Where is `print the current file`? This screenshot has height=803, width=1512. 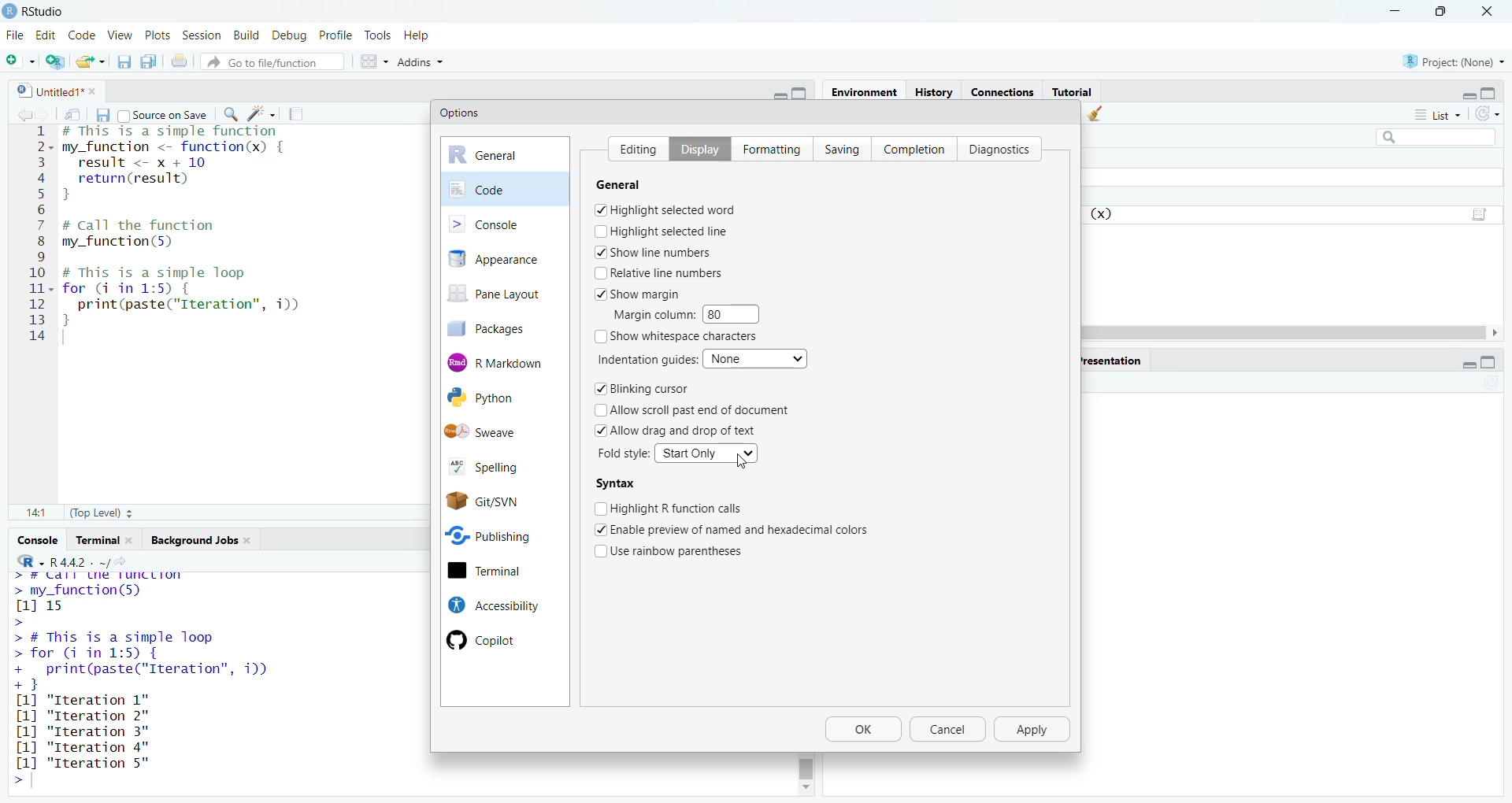 print the current file is located at coordinates (181, 61).